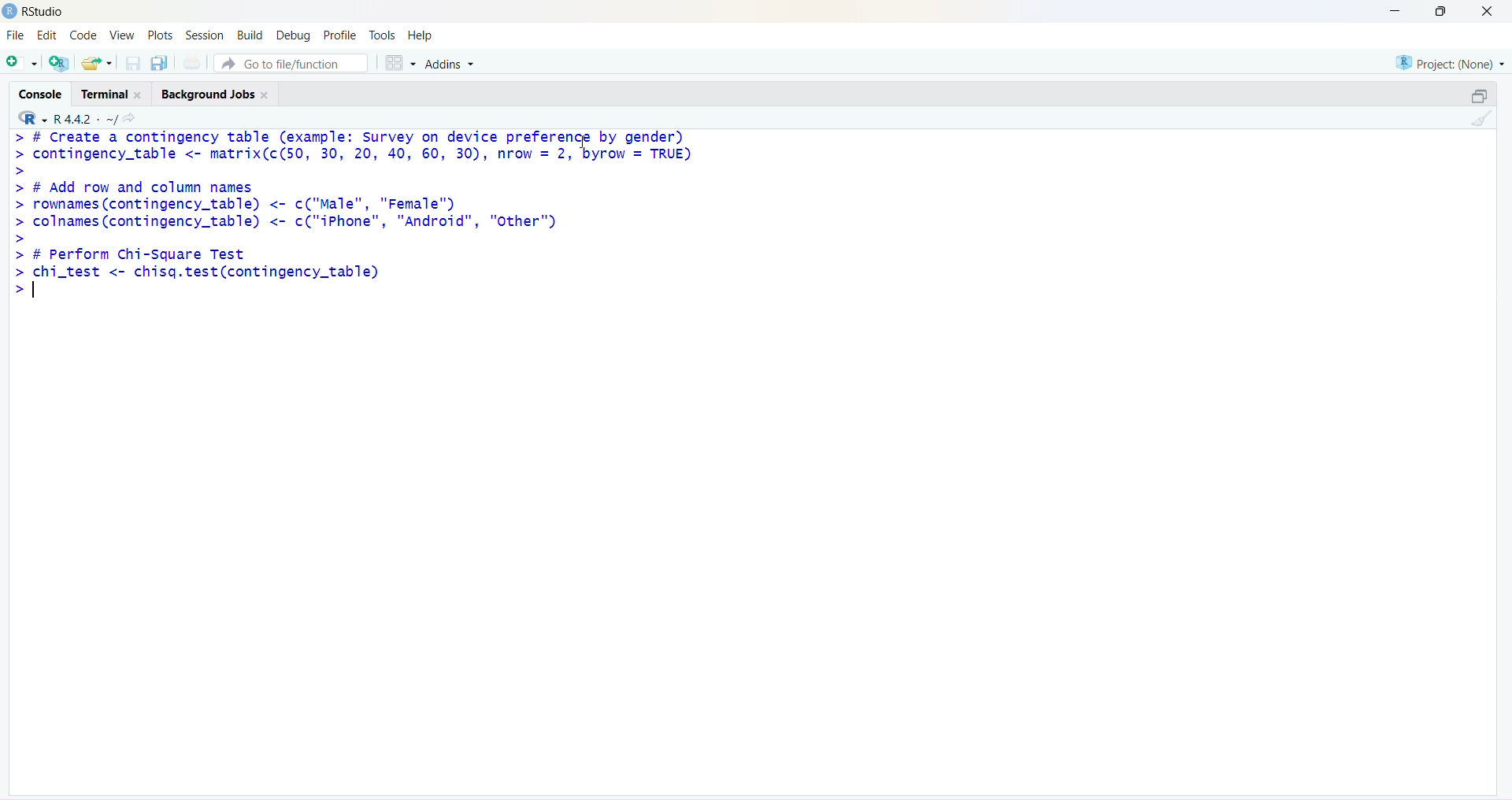 The width and height of the screenshot is (1512, 800). Describe the element at coordinates (134, 63) in the screenshot. I see `save` at that location.